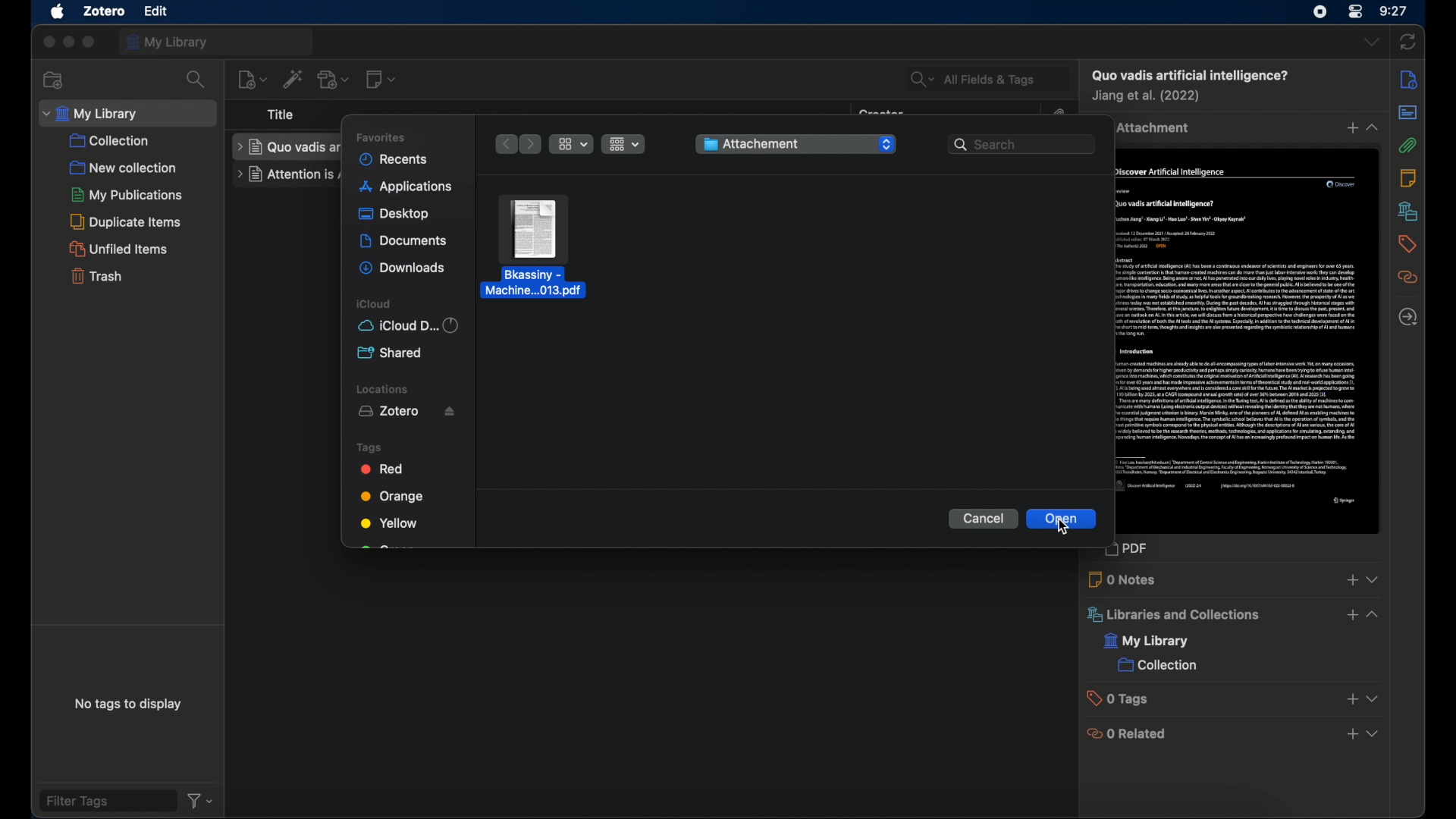  What do you see at coordinates (398, 158) in the screenshot?
I see `recents` at bounding box center [398, 158].